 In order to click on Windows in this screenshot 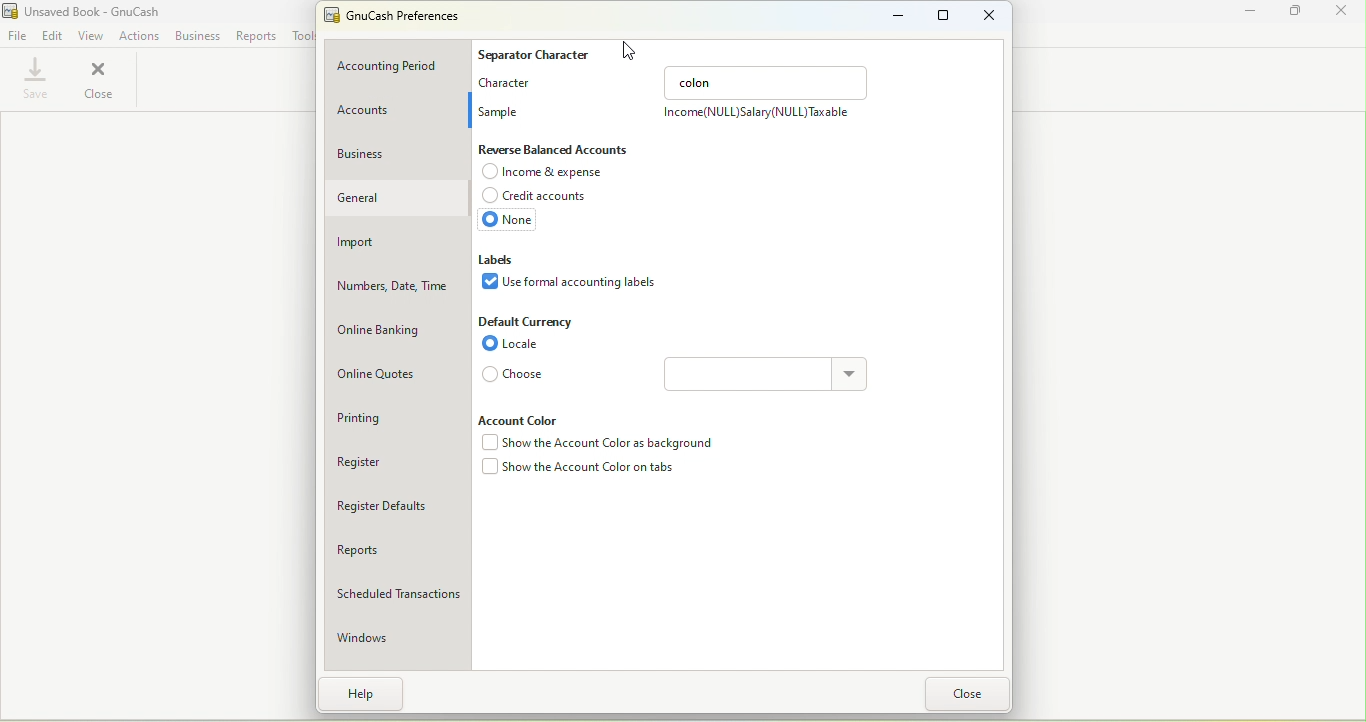, I will do `click(400, 640)`.